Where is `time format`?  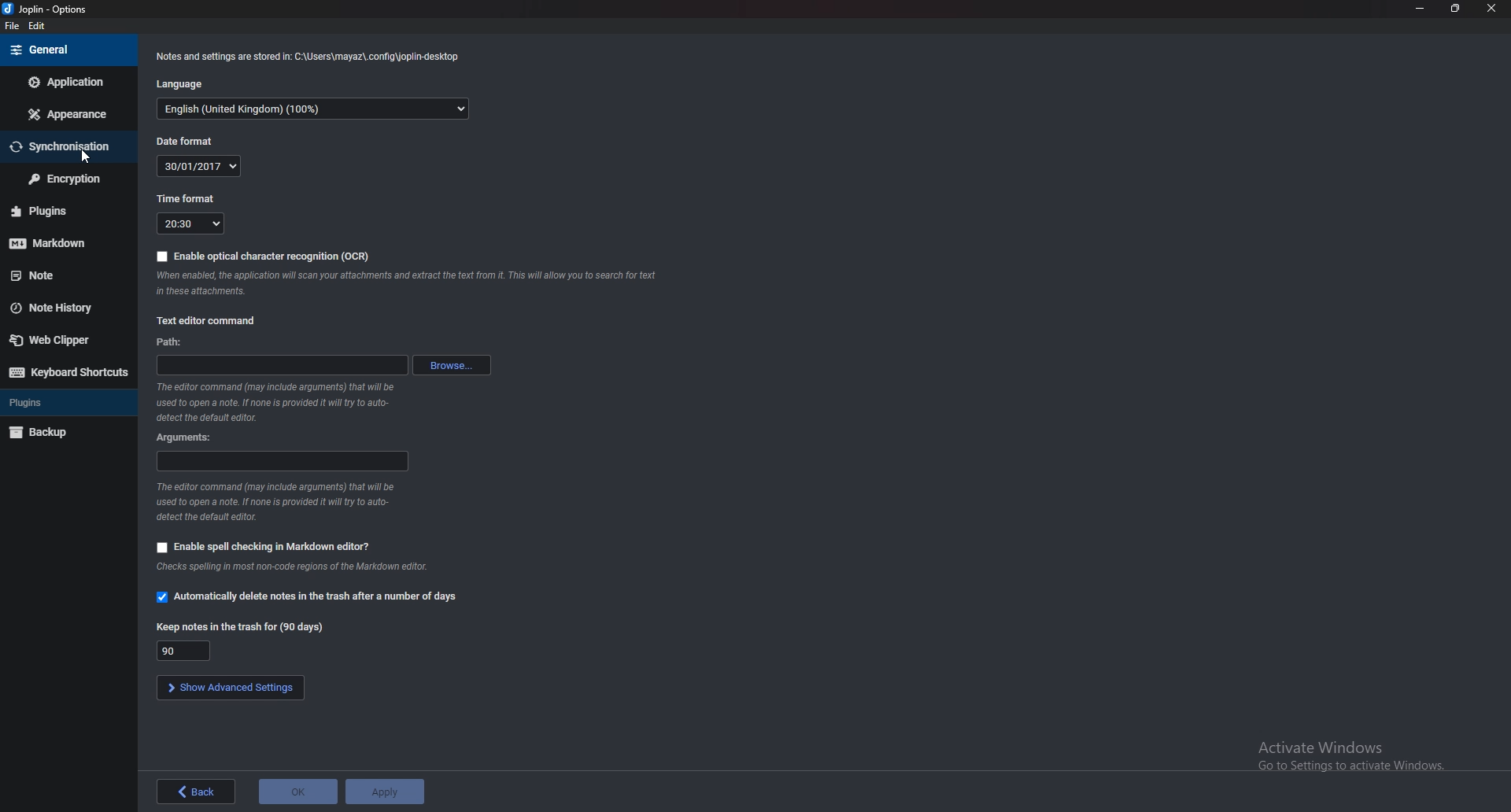
time format is located at coordinates (183, 199).